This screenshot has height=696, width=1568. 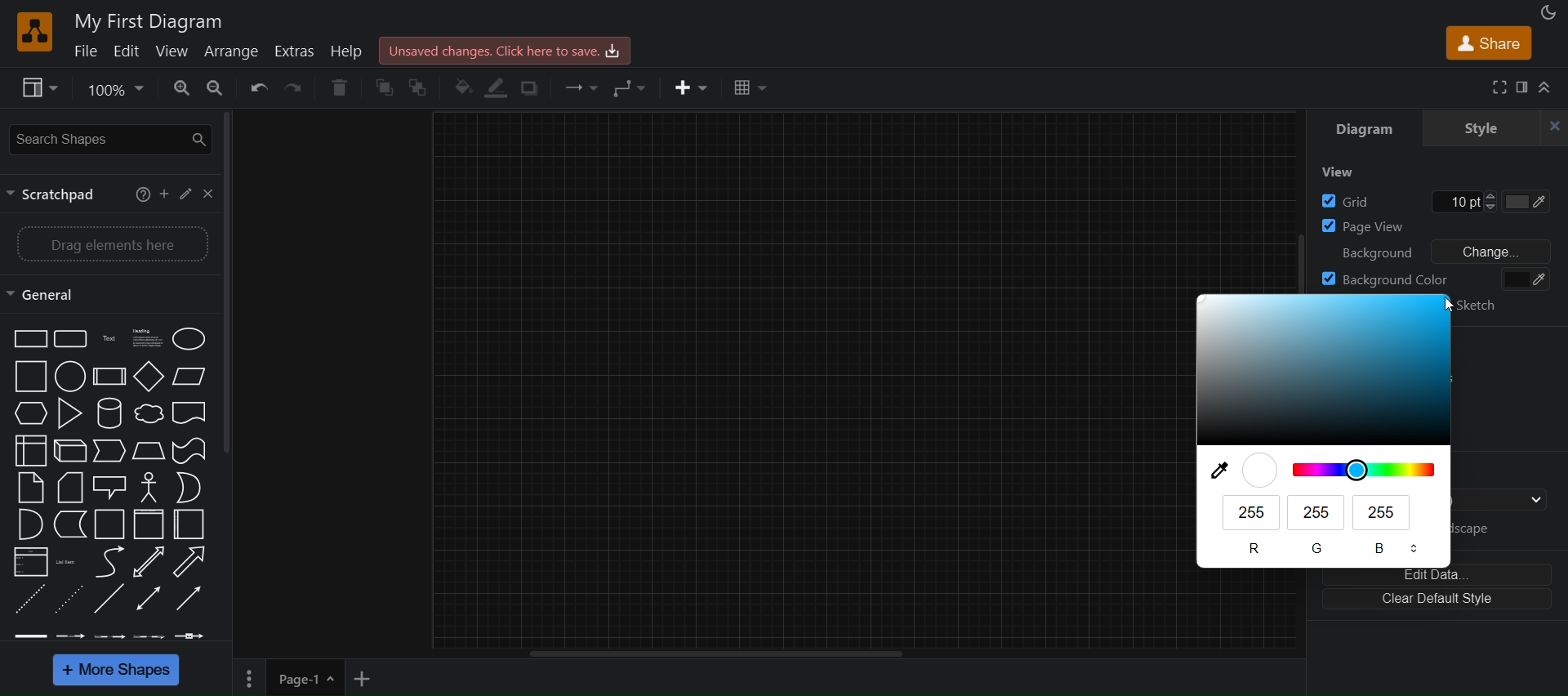 I want to click on blue, so click(x=1323, y=431).